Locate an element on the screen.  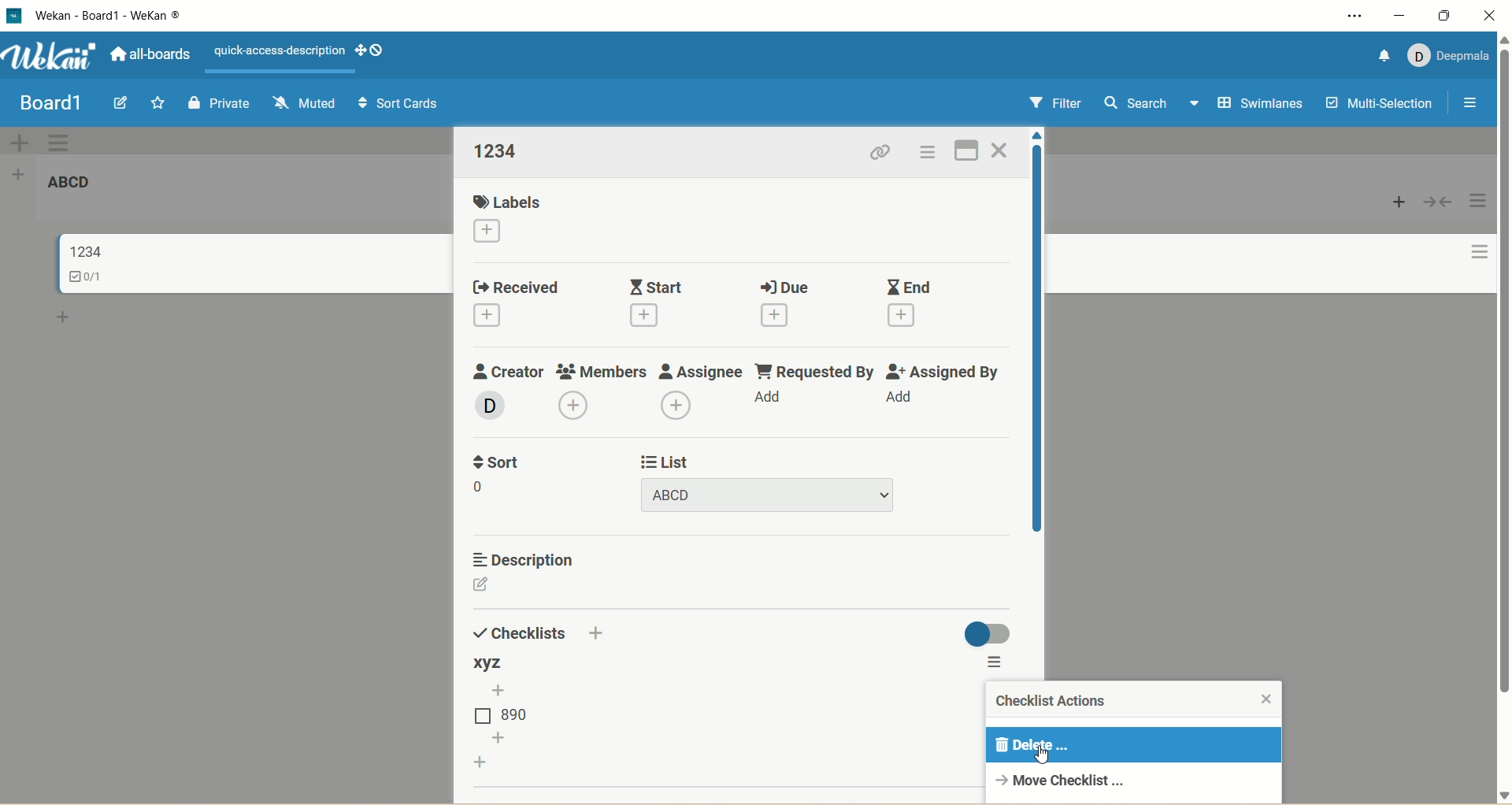
show-desktop-drag-handles is located at coordinates (369, 50).